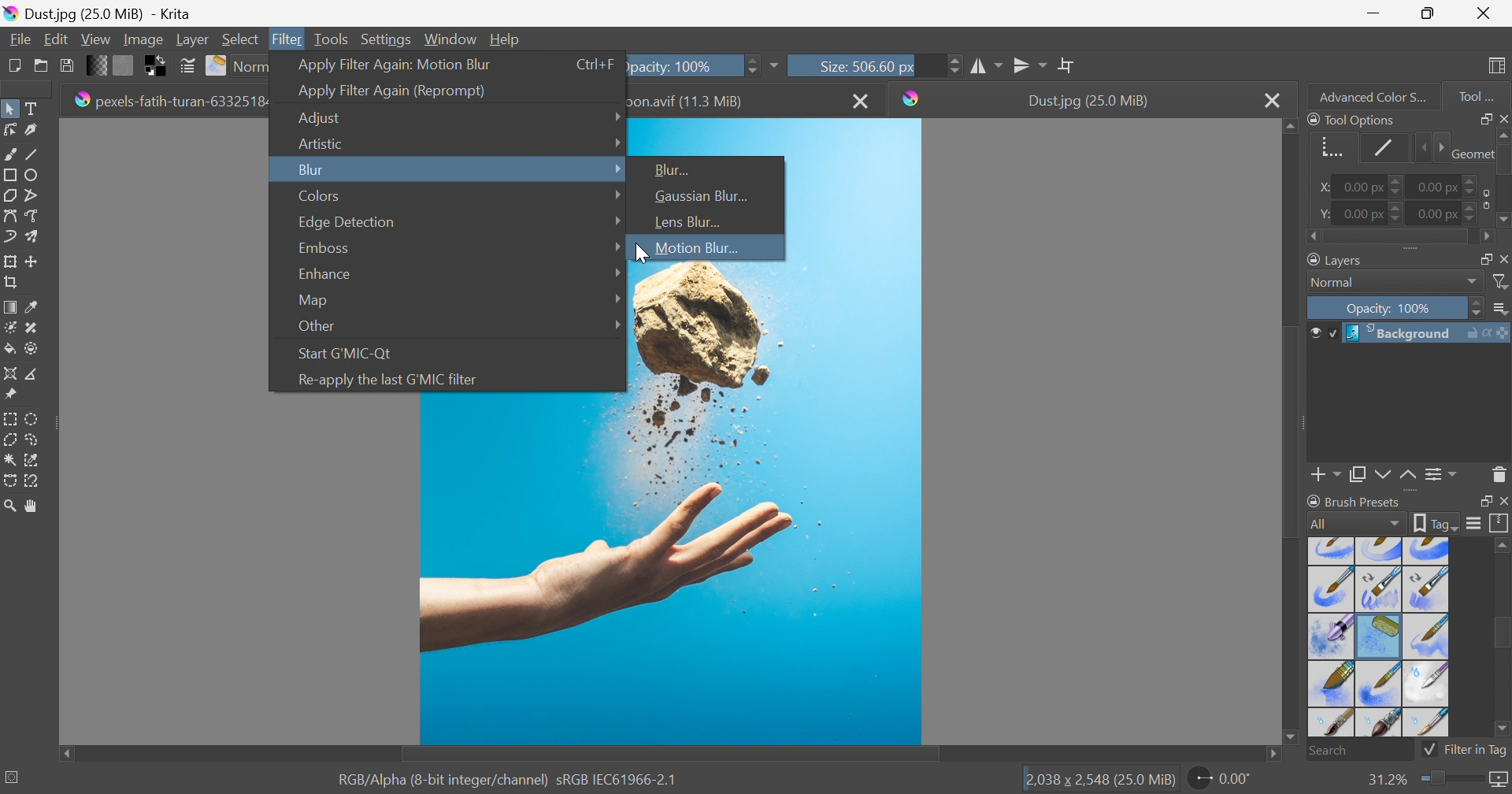 Image resolution: width=1512 pixels, height=794 pixels. I want to click on Scroll Bar, so click(1292, 429).